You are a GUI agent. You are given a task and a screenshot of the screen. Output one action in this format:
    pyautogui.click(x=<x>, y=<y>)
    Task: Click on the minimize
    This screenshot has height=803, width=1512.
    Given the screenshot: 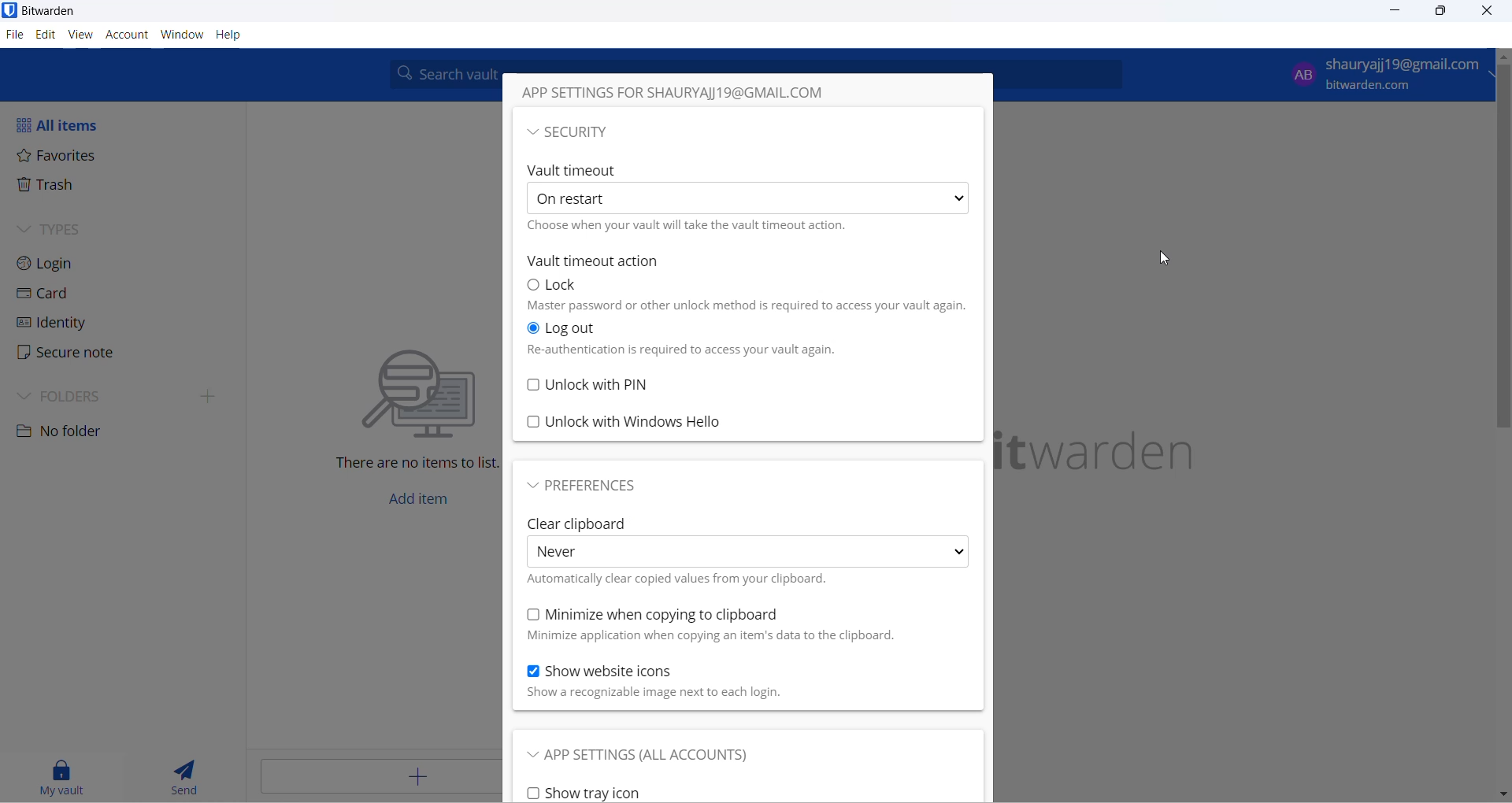 What is the action you would take?
    pyautogui.click(x=1401, y=13)
    